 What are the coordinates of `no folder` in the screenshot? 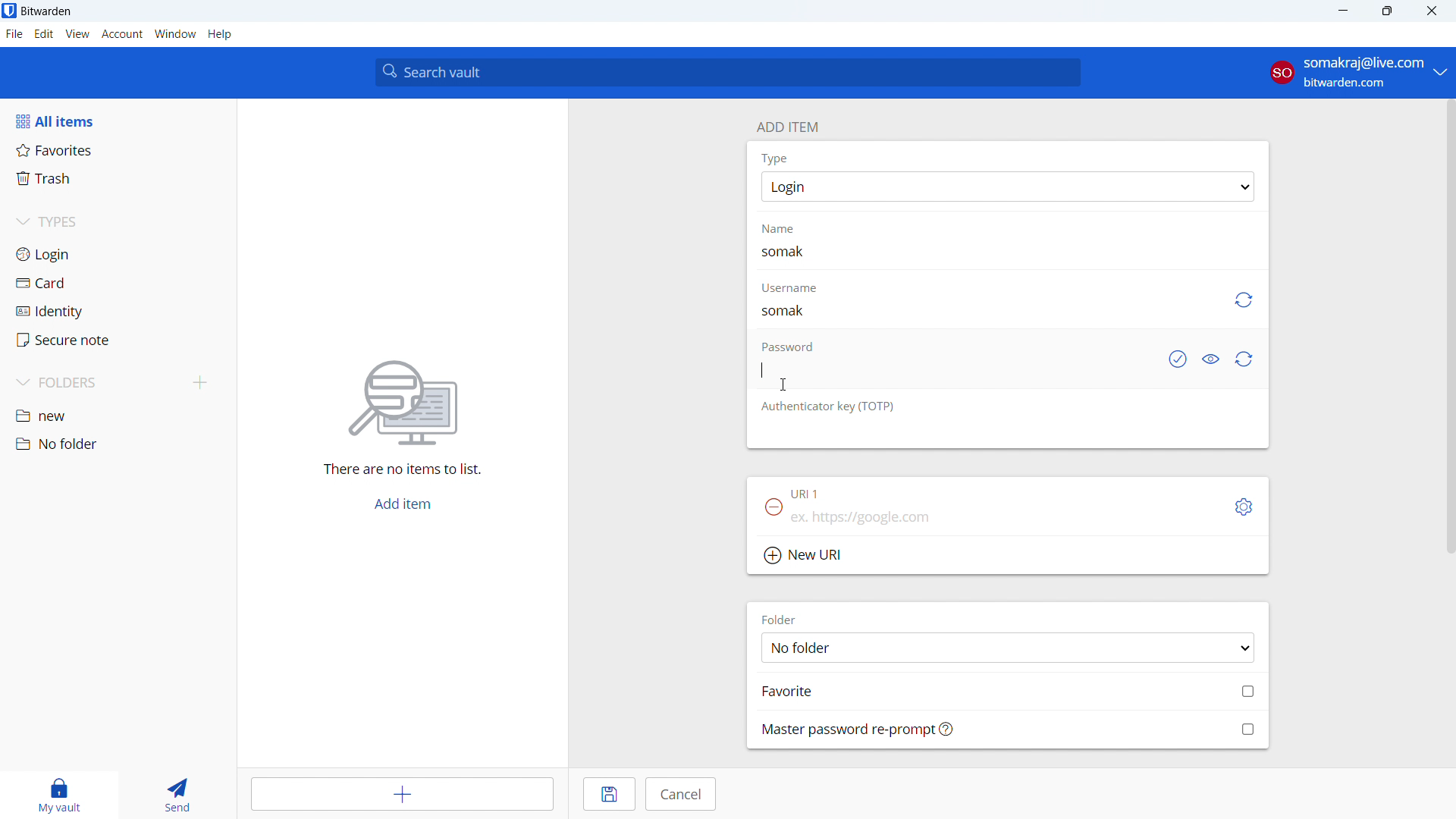 It's located at (116, 444).